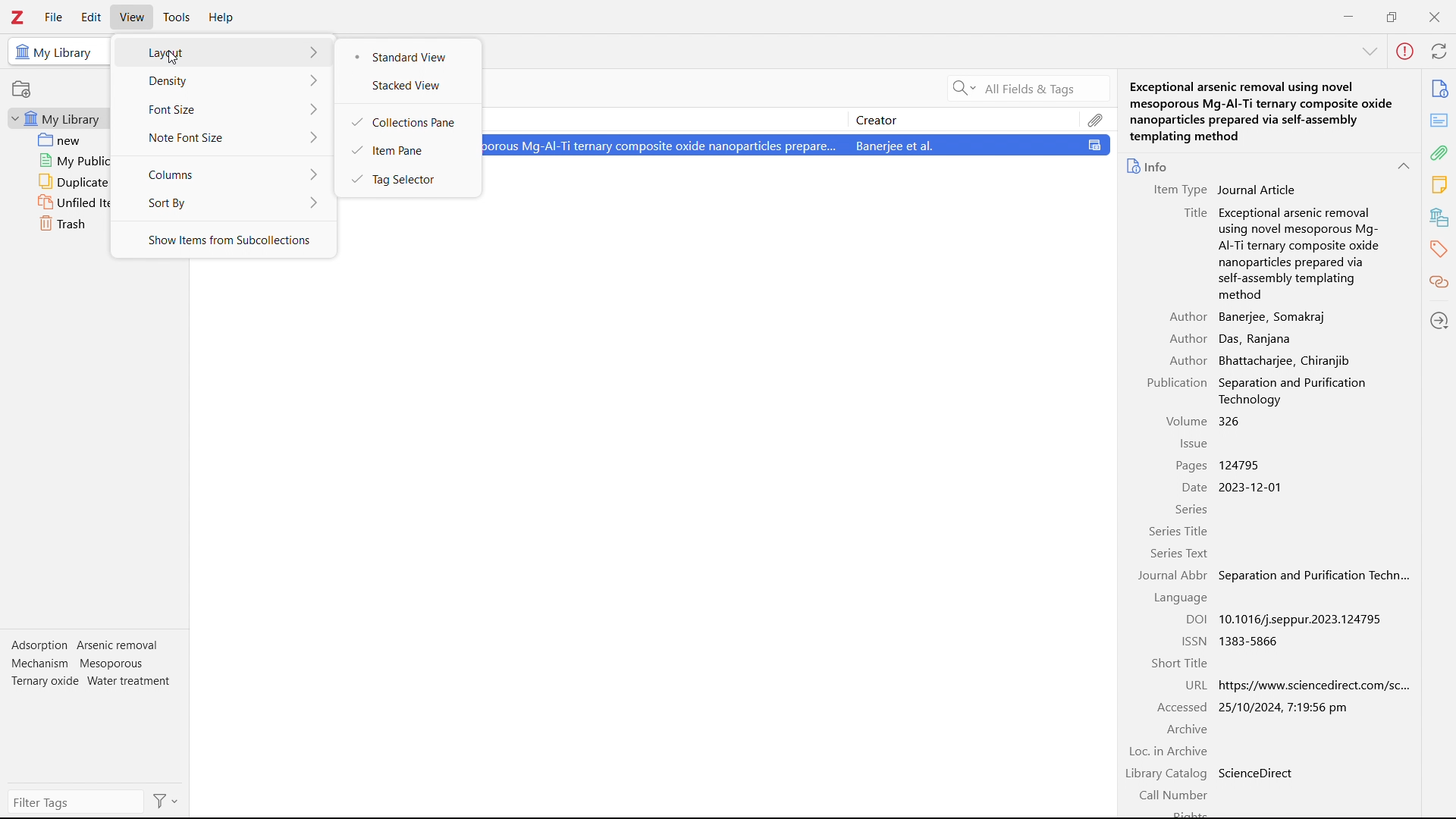 This screenshot has width=1456, height=819. I want to click on Mechanism   Mesoporous, so click(79, 663).